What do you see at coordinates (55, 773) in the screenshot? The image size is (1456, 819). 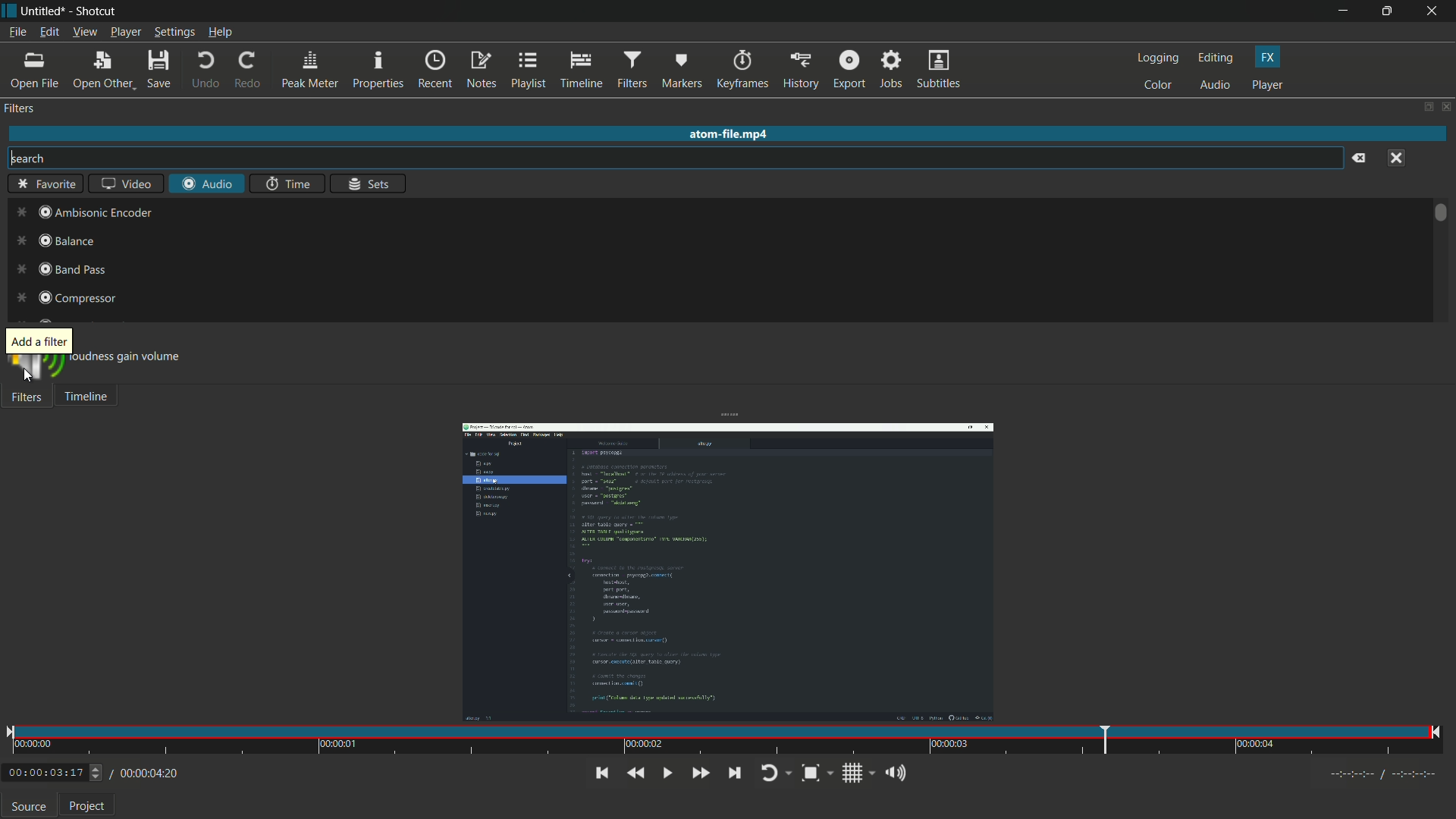 I see `00:00:03:17 (Current Time)` at bounding box center [55, 773].